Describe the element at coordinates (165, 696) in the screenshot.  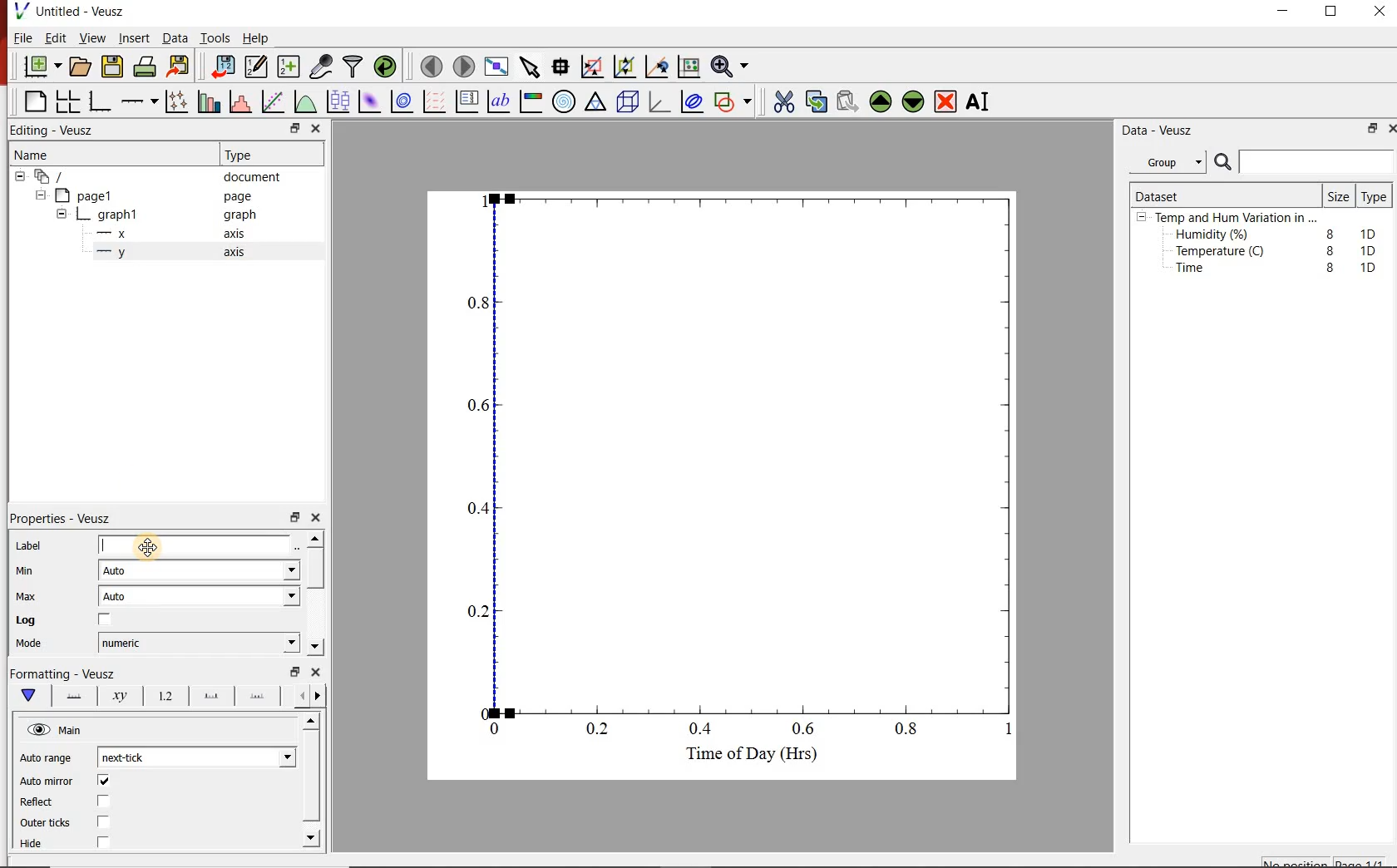
I see `tick labels` at that location.